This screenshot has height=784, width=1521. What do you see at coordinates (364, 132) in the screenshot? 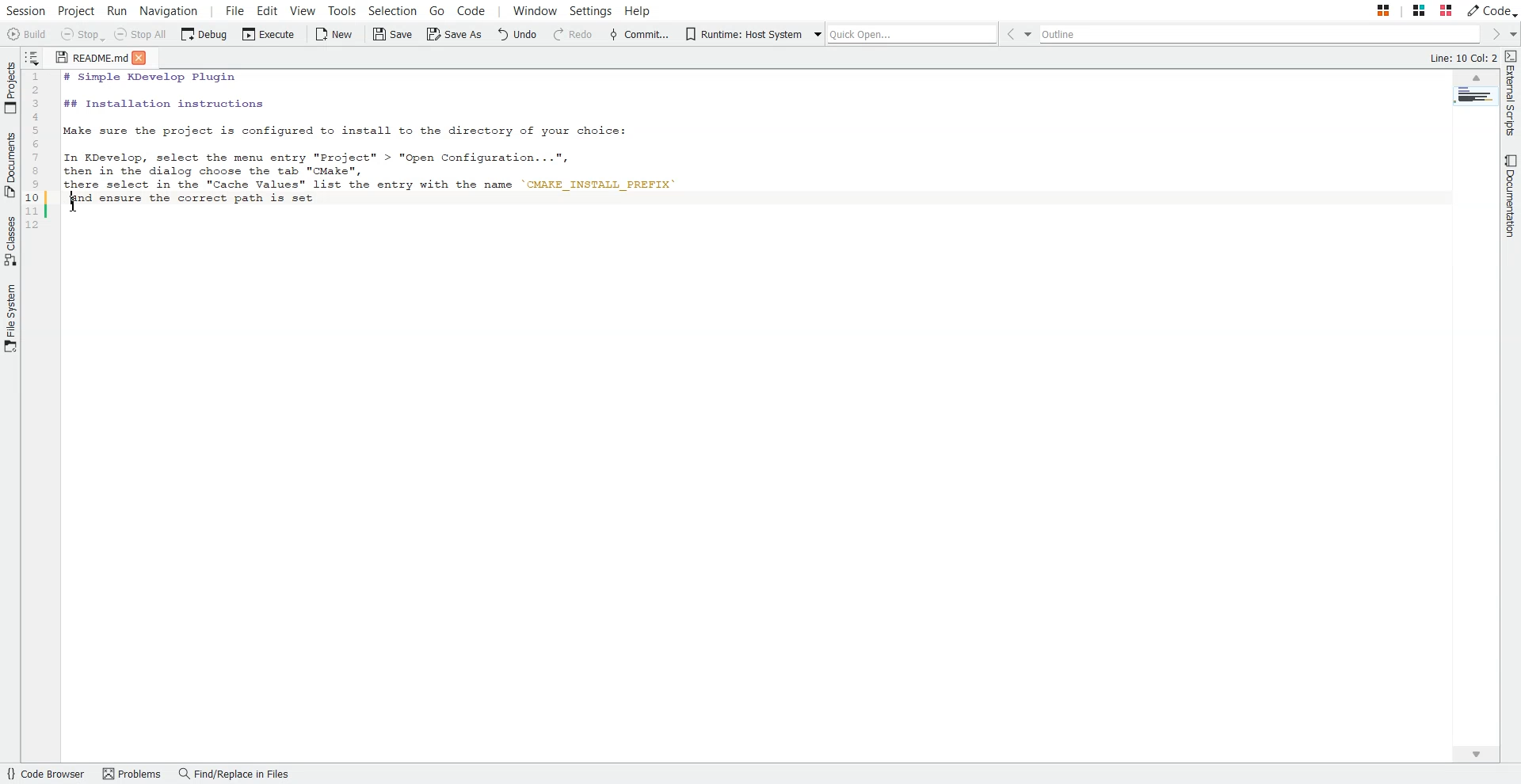
I see `Make sure the project is configured to install to the directory of your choice:` at bounding box center [364, 132].